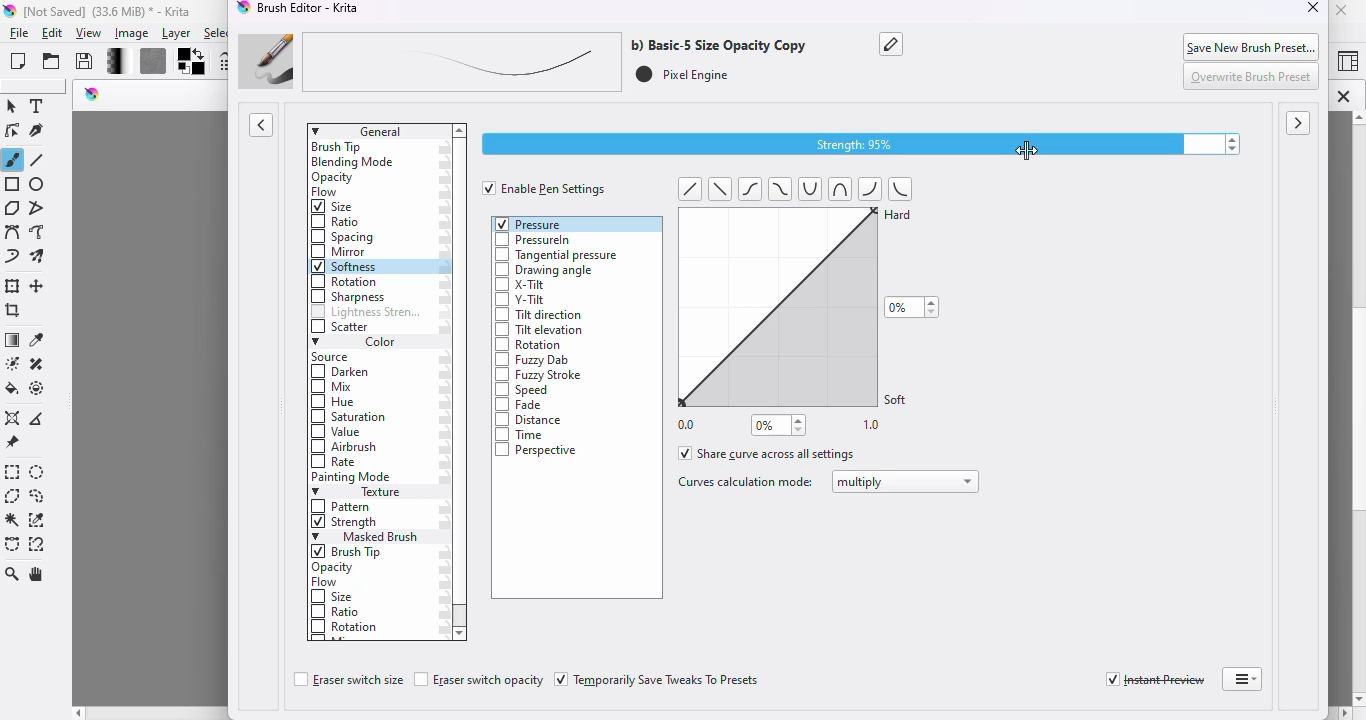 The image size is (1366, 720). I want to click on Left diagonal, so click(690, 188).